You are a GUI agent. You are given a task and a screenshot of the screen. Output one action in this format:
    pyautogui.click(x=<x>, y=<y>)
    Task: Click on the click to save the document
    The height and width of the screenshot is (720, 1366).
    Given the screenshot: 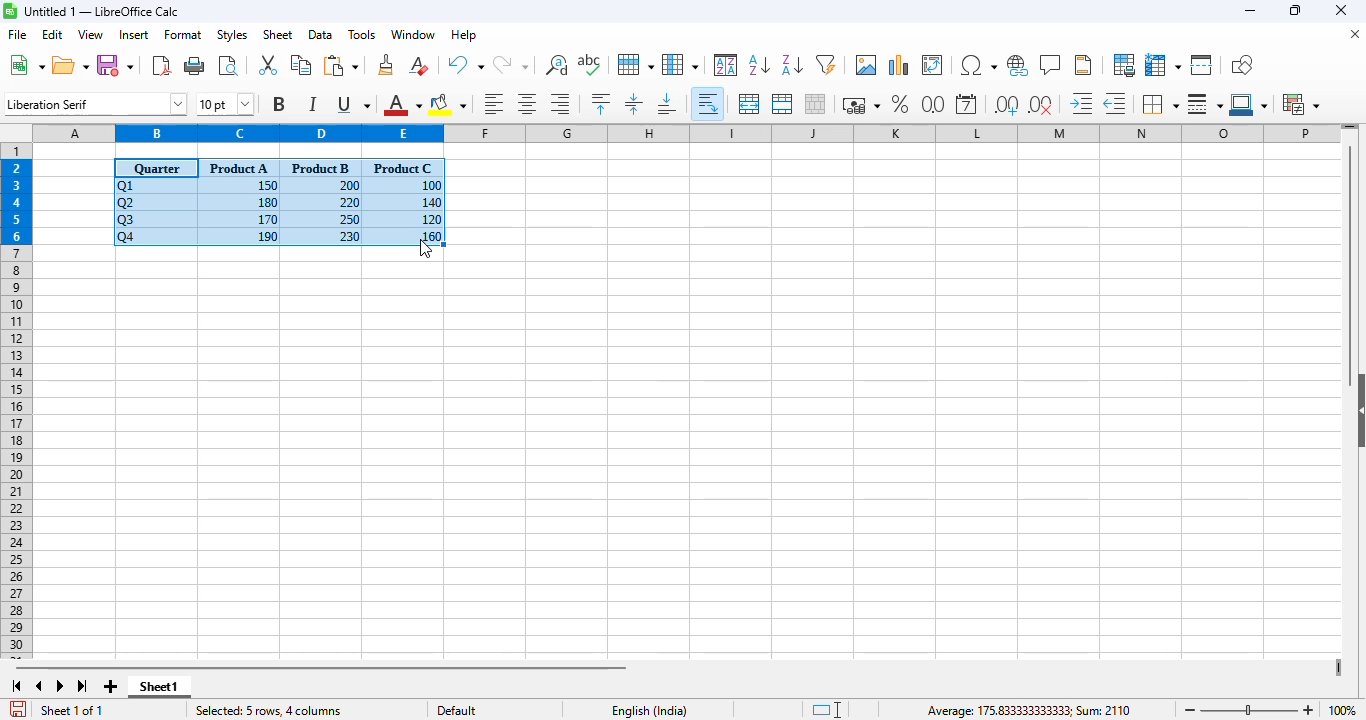 What is the action you would take?
    pyautogui.click(x=18, y=709)
    